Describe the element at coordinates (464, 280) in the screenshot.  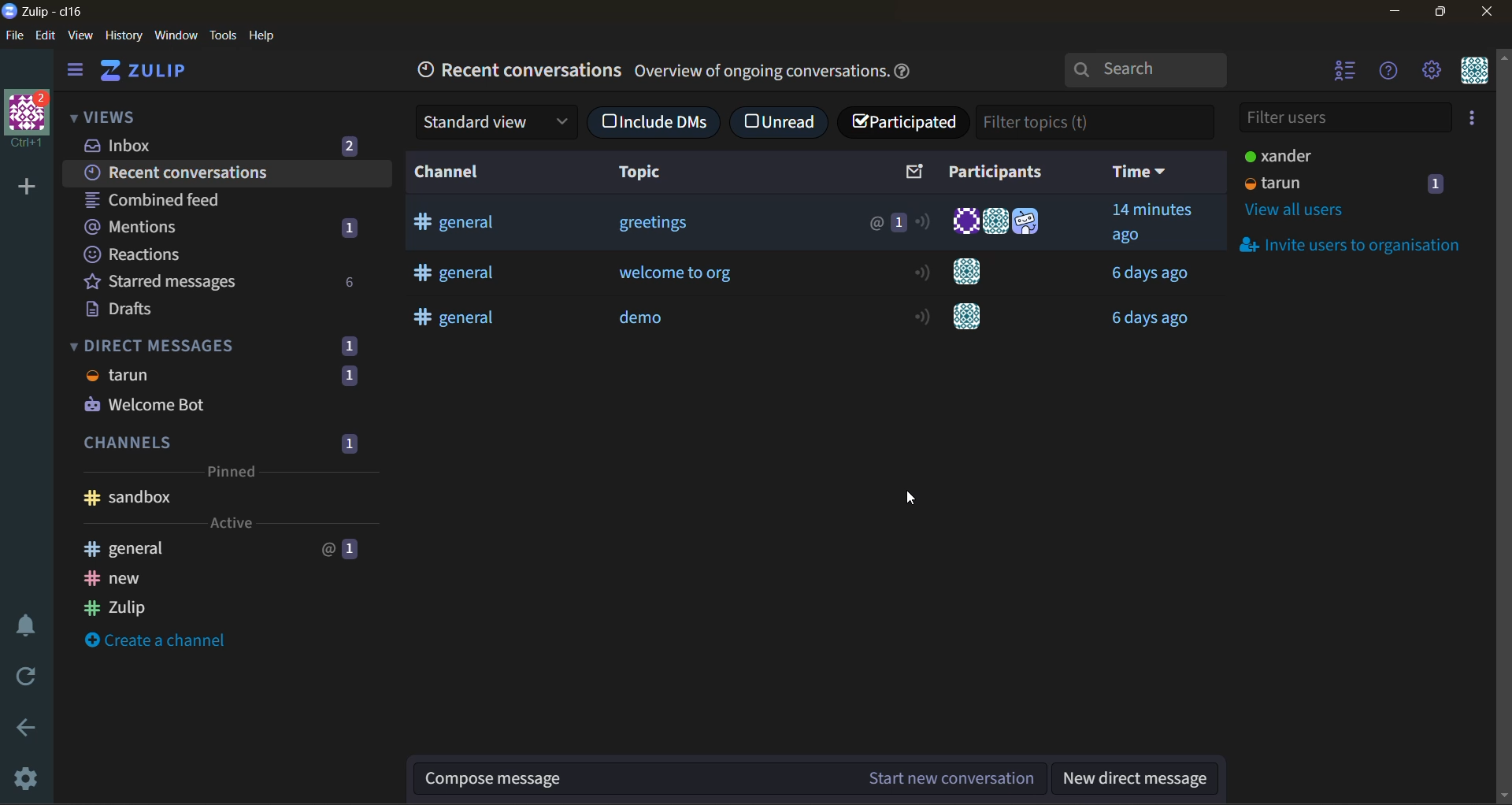
I see `general` at that location.